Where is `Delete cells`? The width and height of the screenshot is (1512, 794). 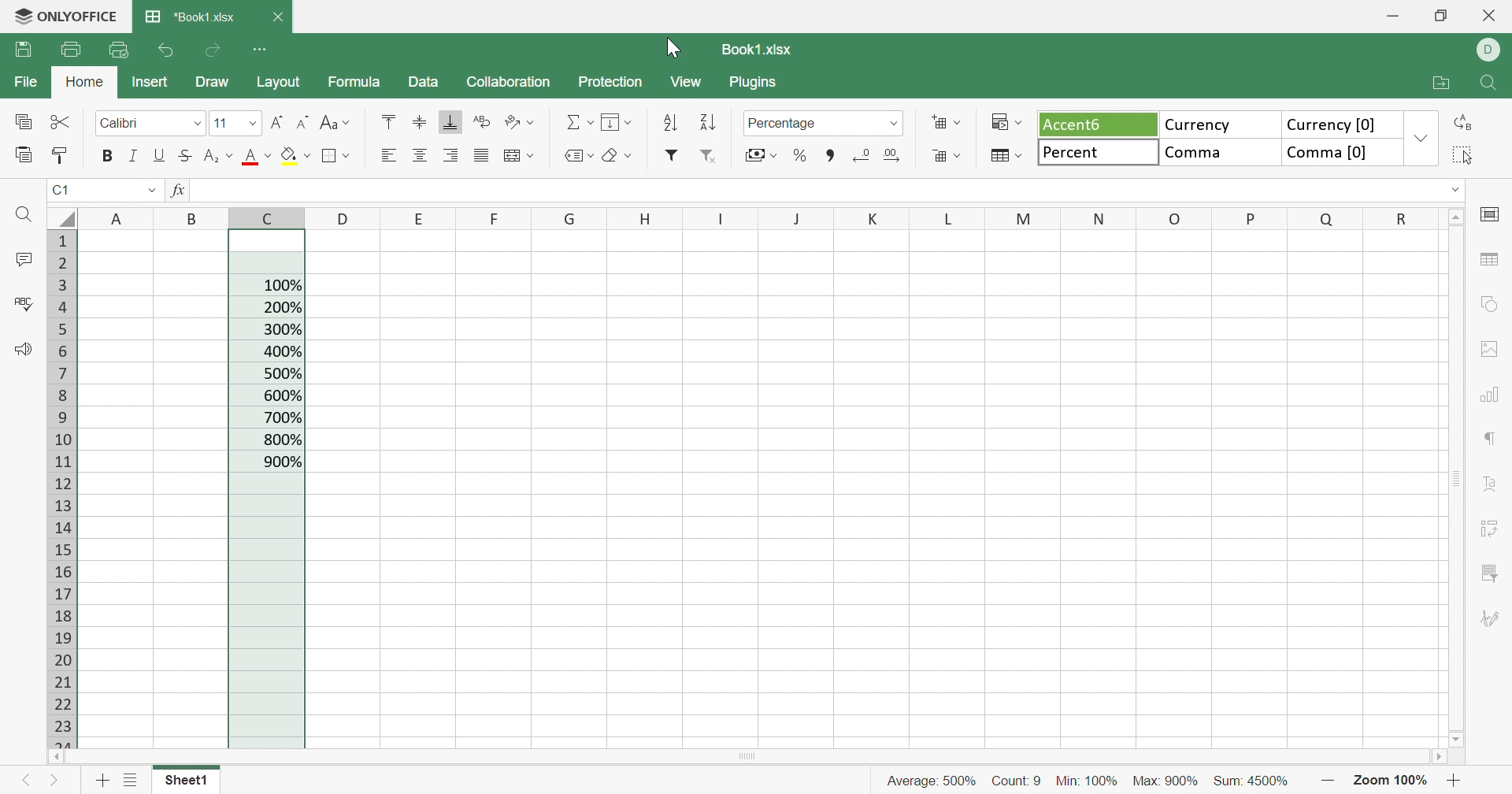
Delete cells is located at coordinates (946, 157).